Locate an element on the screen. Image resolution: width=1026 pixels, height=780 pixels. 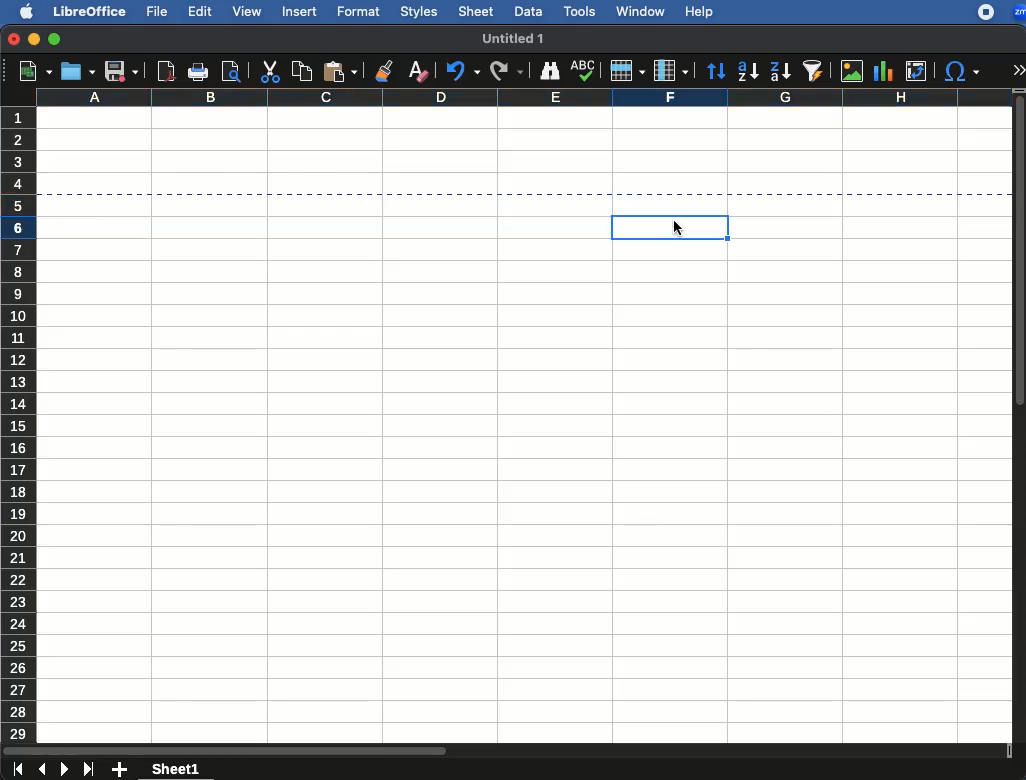
file is located at coordinates (156, 12).